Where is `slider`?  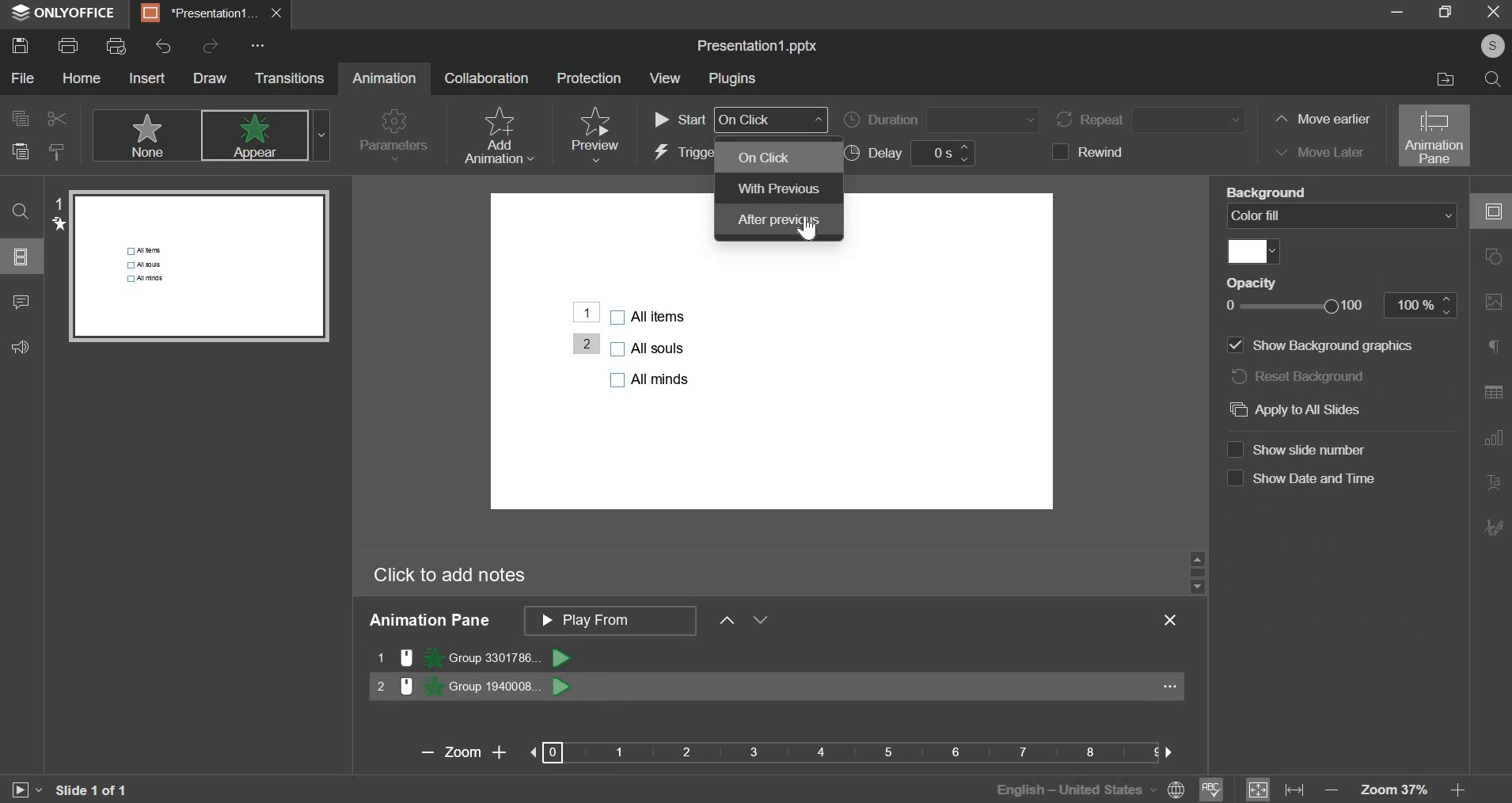
slider is located at coordinates (1196, 571).